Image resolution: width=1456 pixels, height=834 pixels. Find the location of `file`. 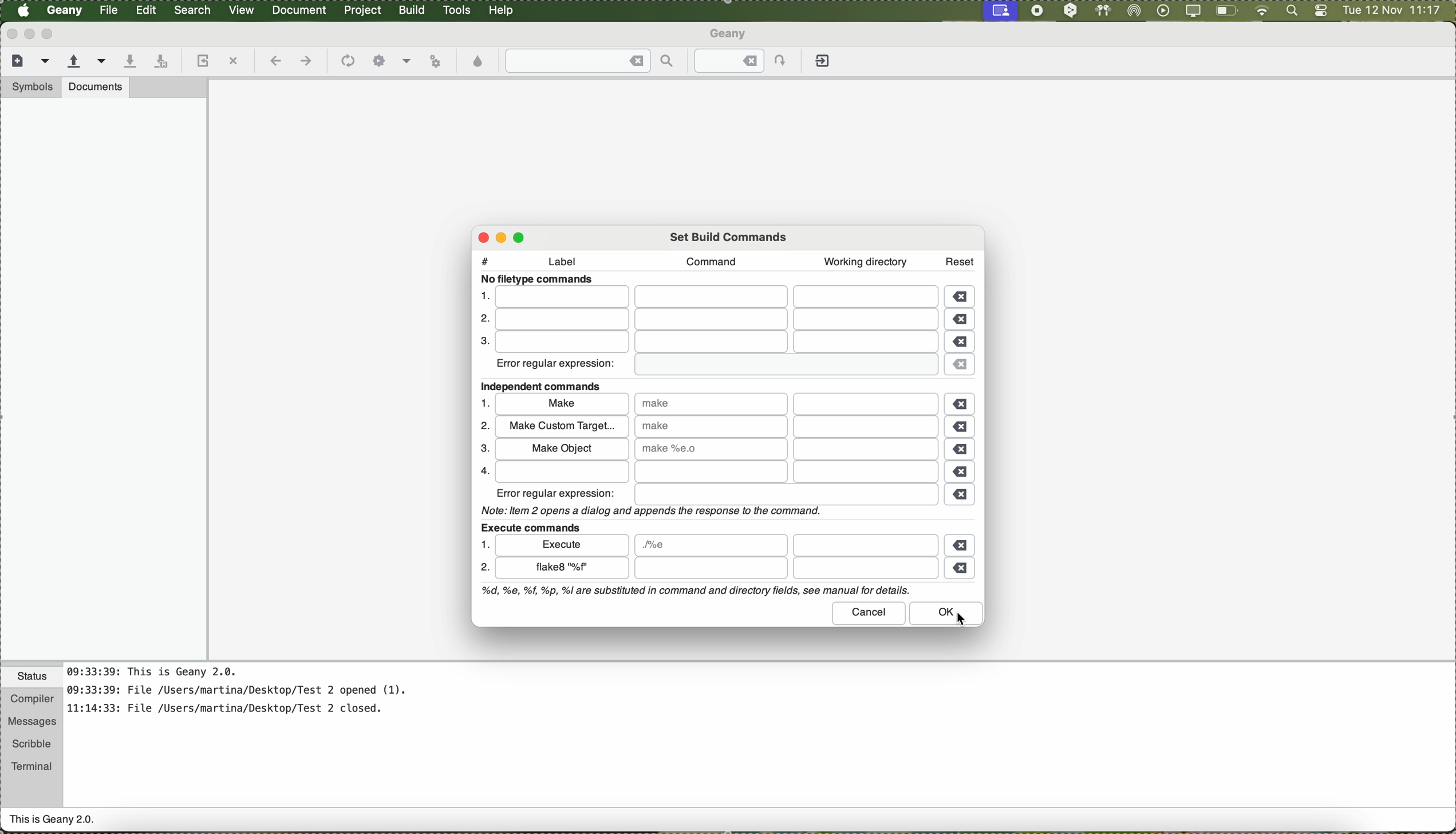

file is located at coordinates (782, 365).